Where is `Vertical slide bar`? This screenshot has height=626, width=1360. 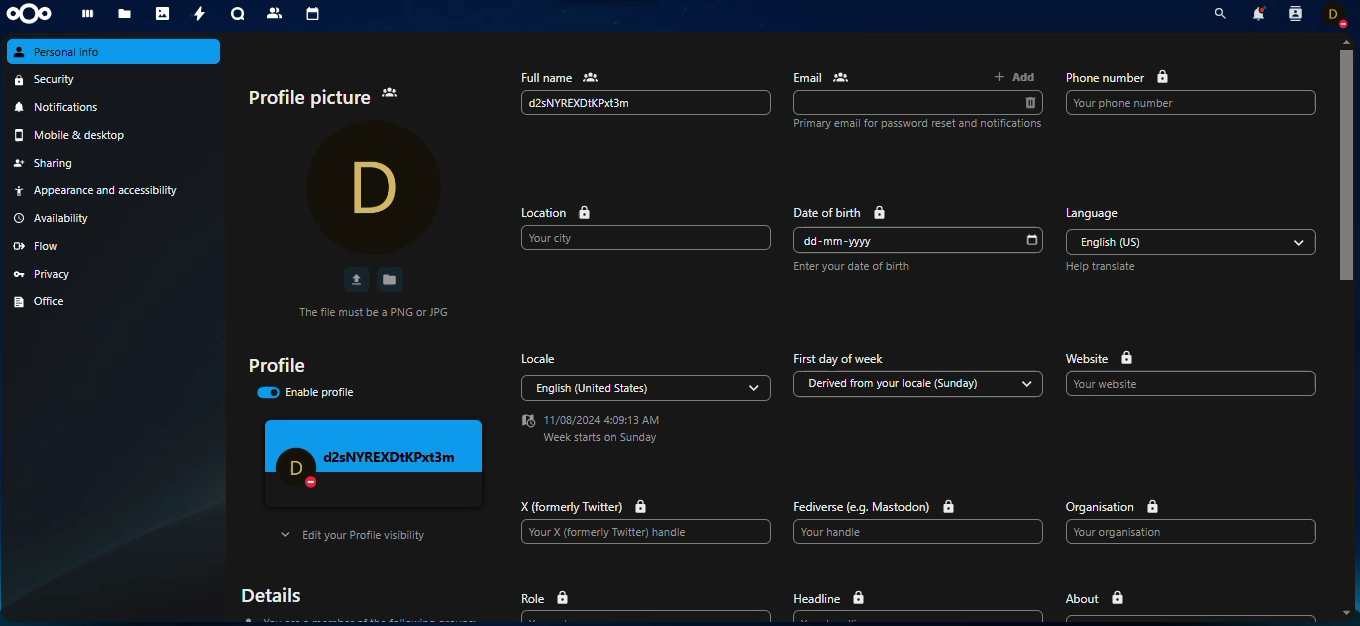
Vertical slide bar is located at coordinates (1347, 160).